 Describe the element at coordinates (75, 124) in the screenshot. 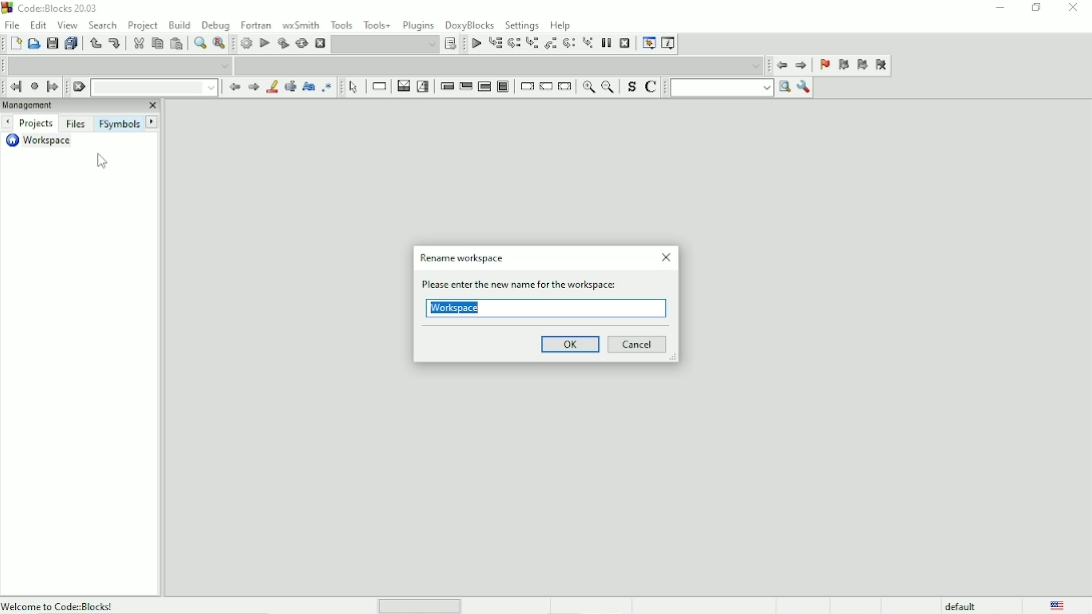

I see `Files` at that location.